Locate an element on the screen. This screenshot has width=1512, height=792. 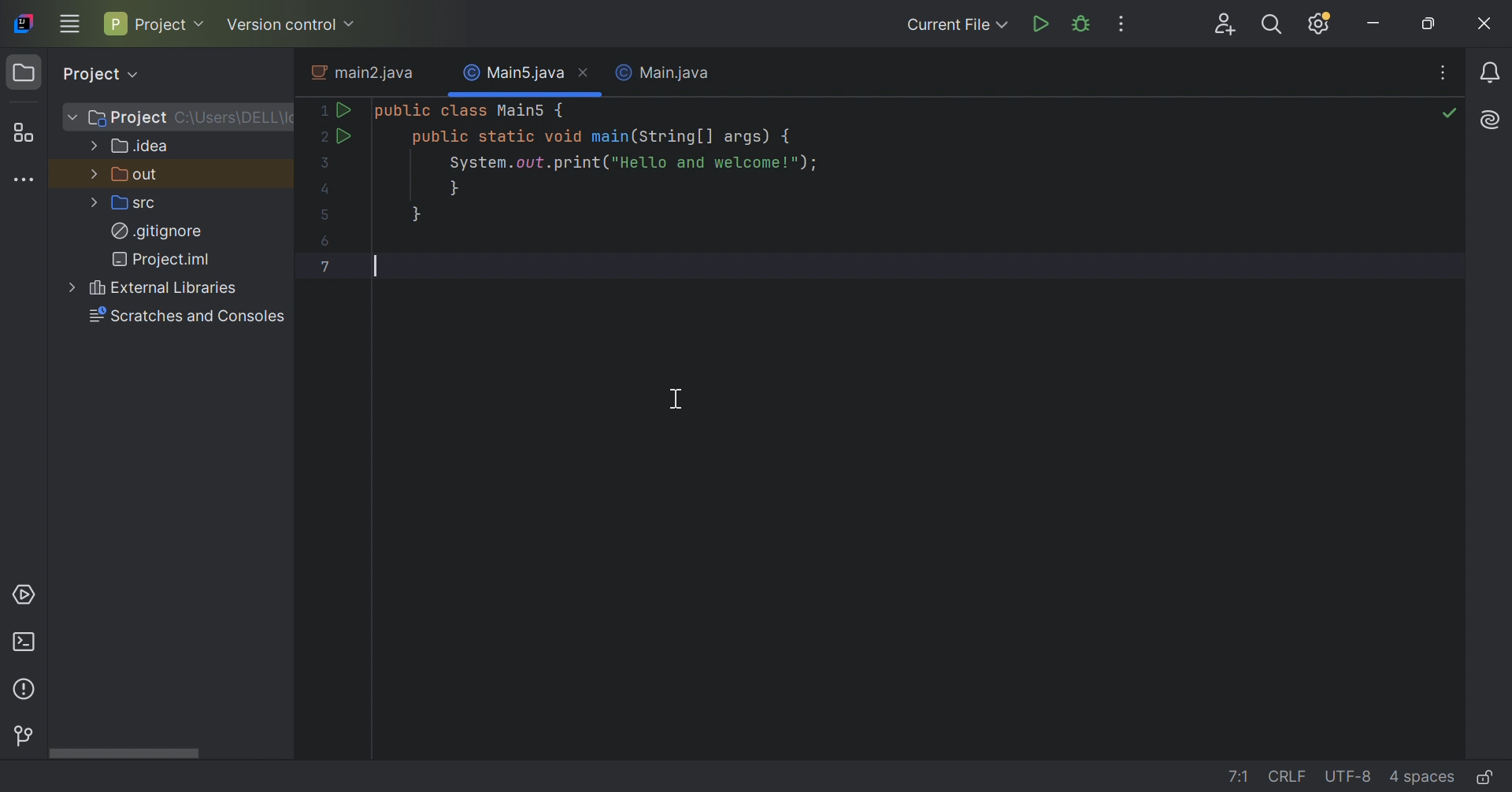
1:1 is located at coordinates (1242, 775).